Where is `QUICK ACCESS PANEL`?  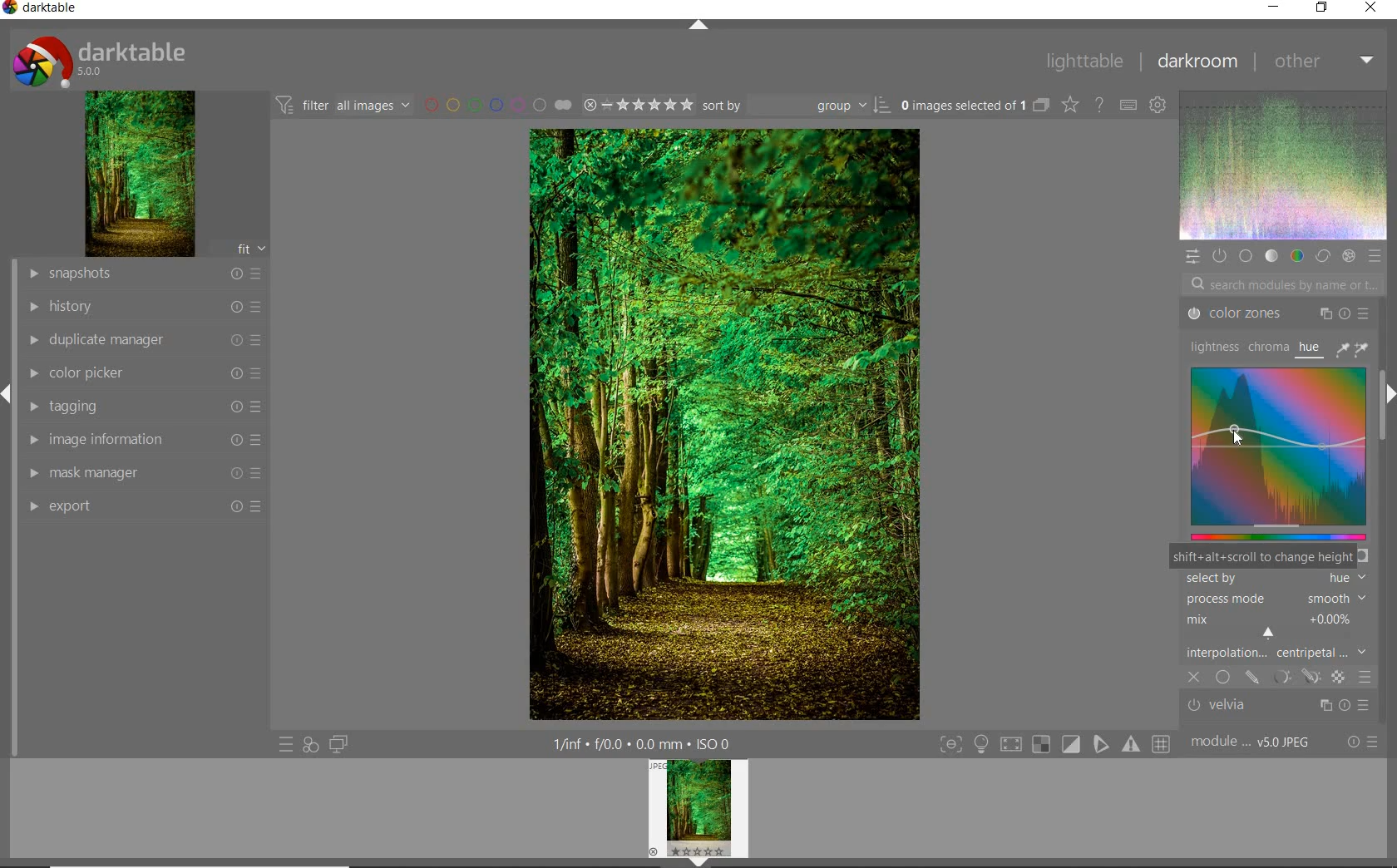
QUICK ACCESS PANEL is located at coordinates (1193, 256).